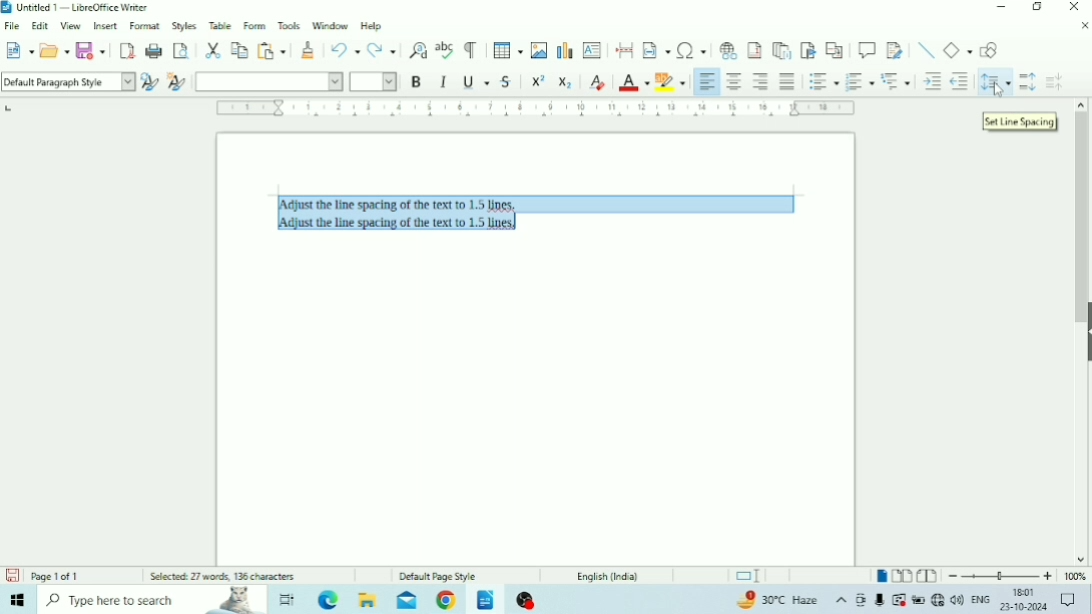  Describe the element at coordinates (1077, 576) in the screenshot. I see `Zoom Factor` at that location.